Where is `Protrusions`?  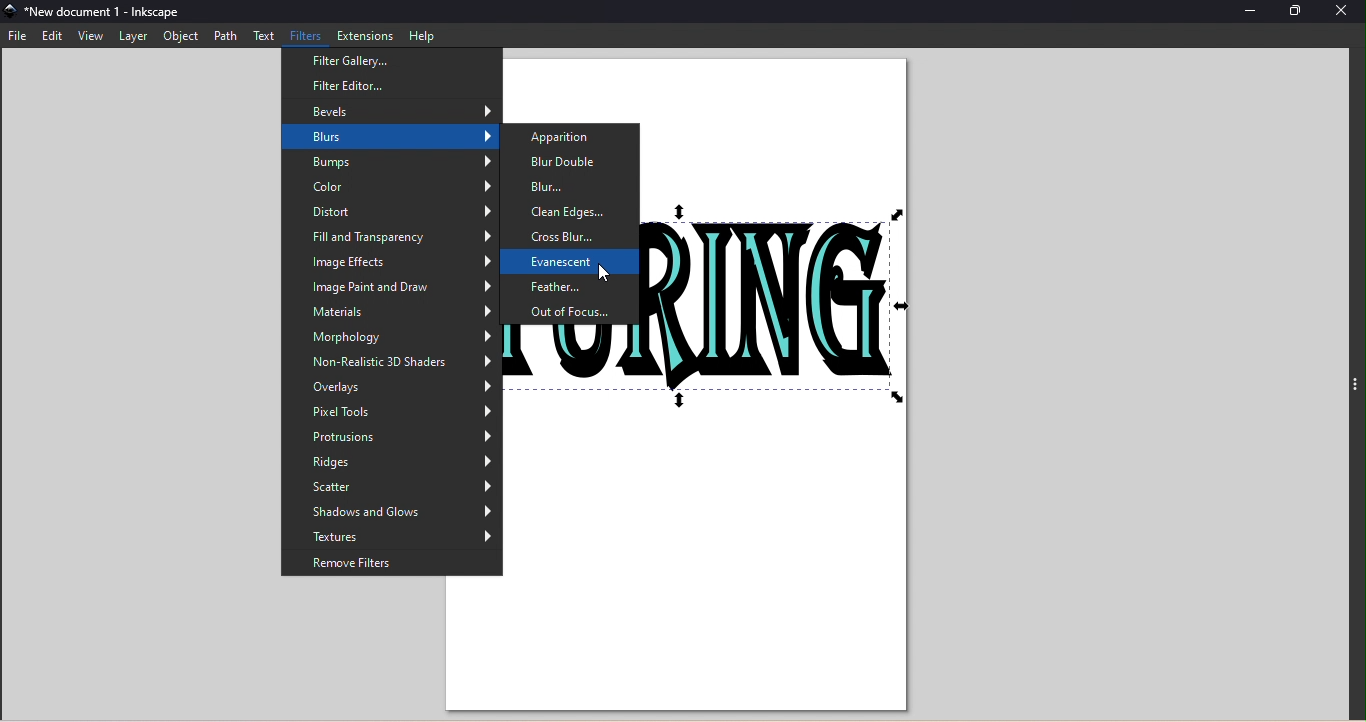 Protrusions is located at coordinates (390, 434).